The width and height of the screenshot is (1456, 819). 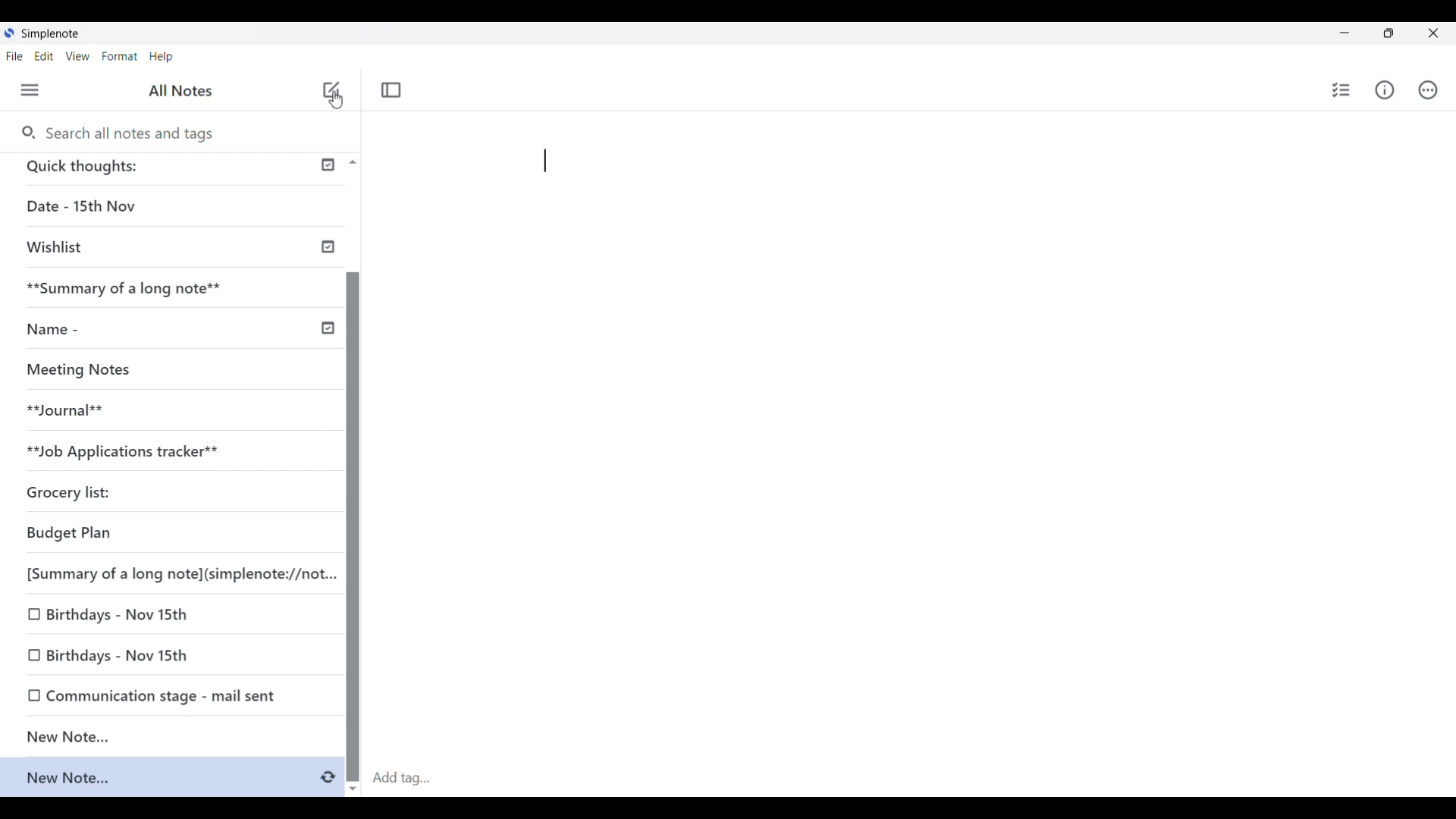 What do you see at coordinates (136, 493) in the screenshot?
I see `Grocery list` at bounding box center [136, 493].